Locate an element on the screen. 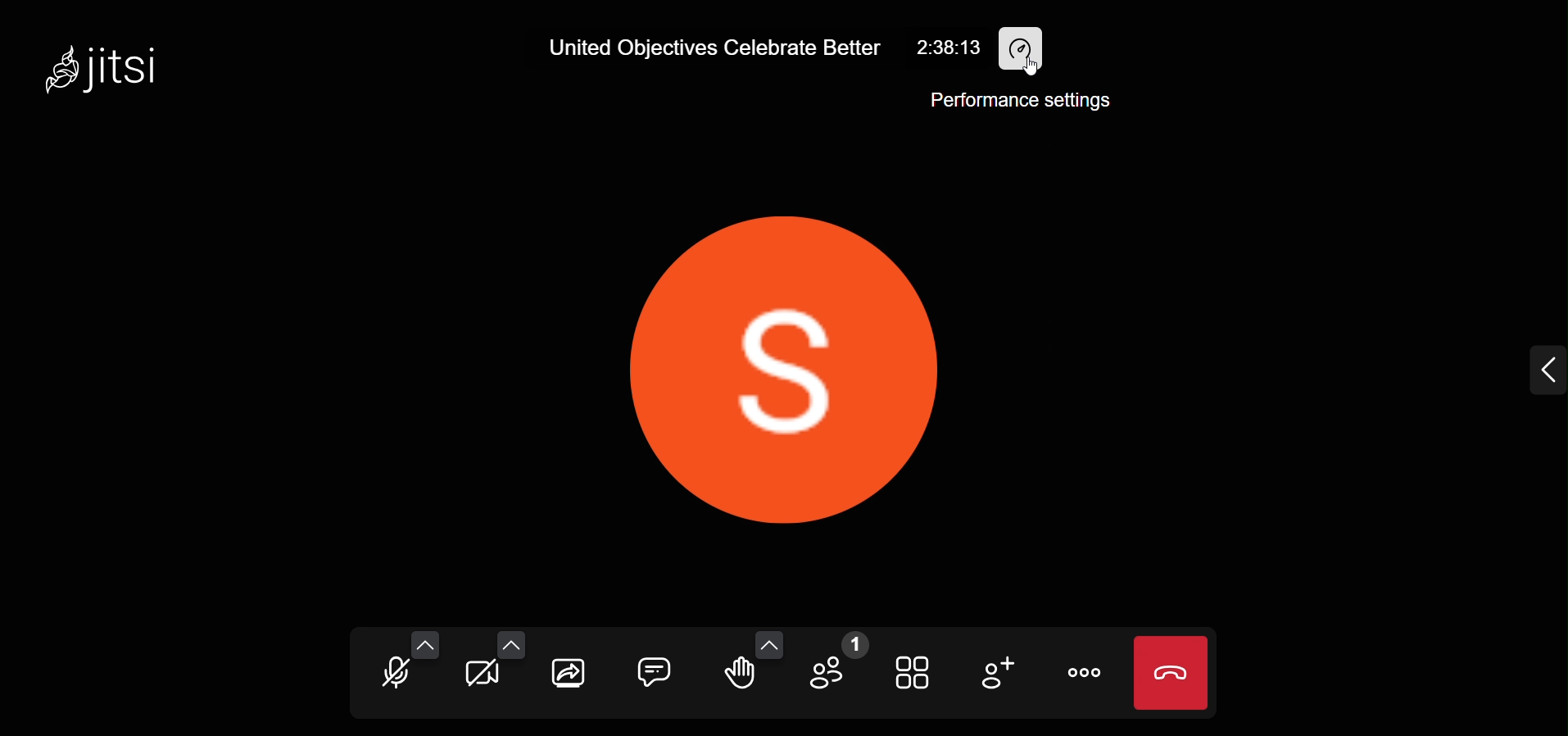 This screenshot has height=736, width=1568. more emoji is located at coordinates (768, 644).